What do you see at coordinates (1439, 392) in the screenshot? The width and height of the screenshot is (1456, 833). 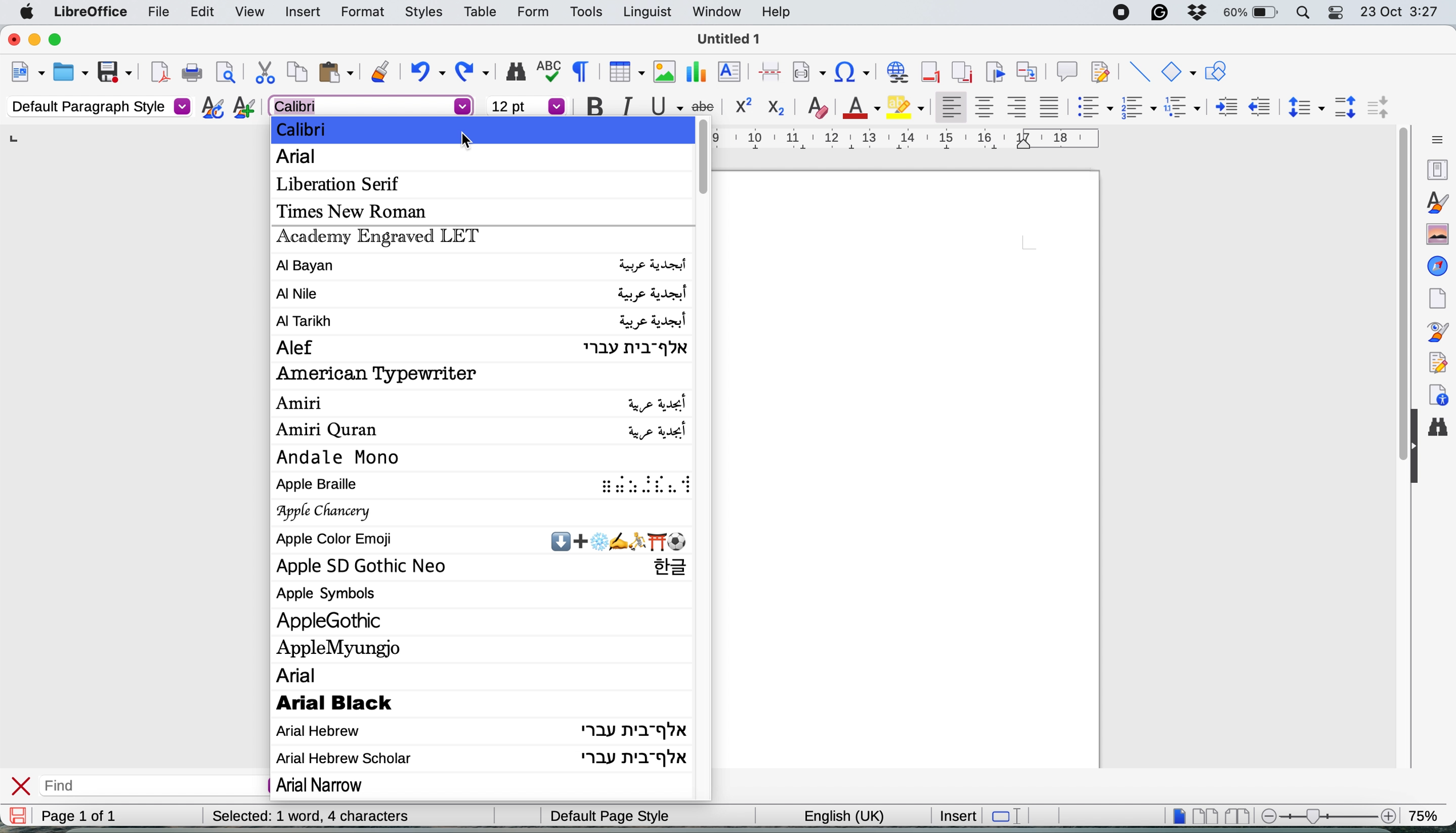 I see `accessibility checks` at bounding box center [1439, 392].